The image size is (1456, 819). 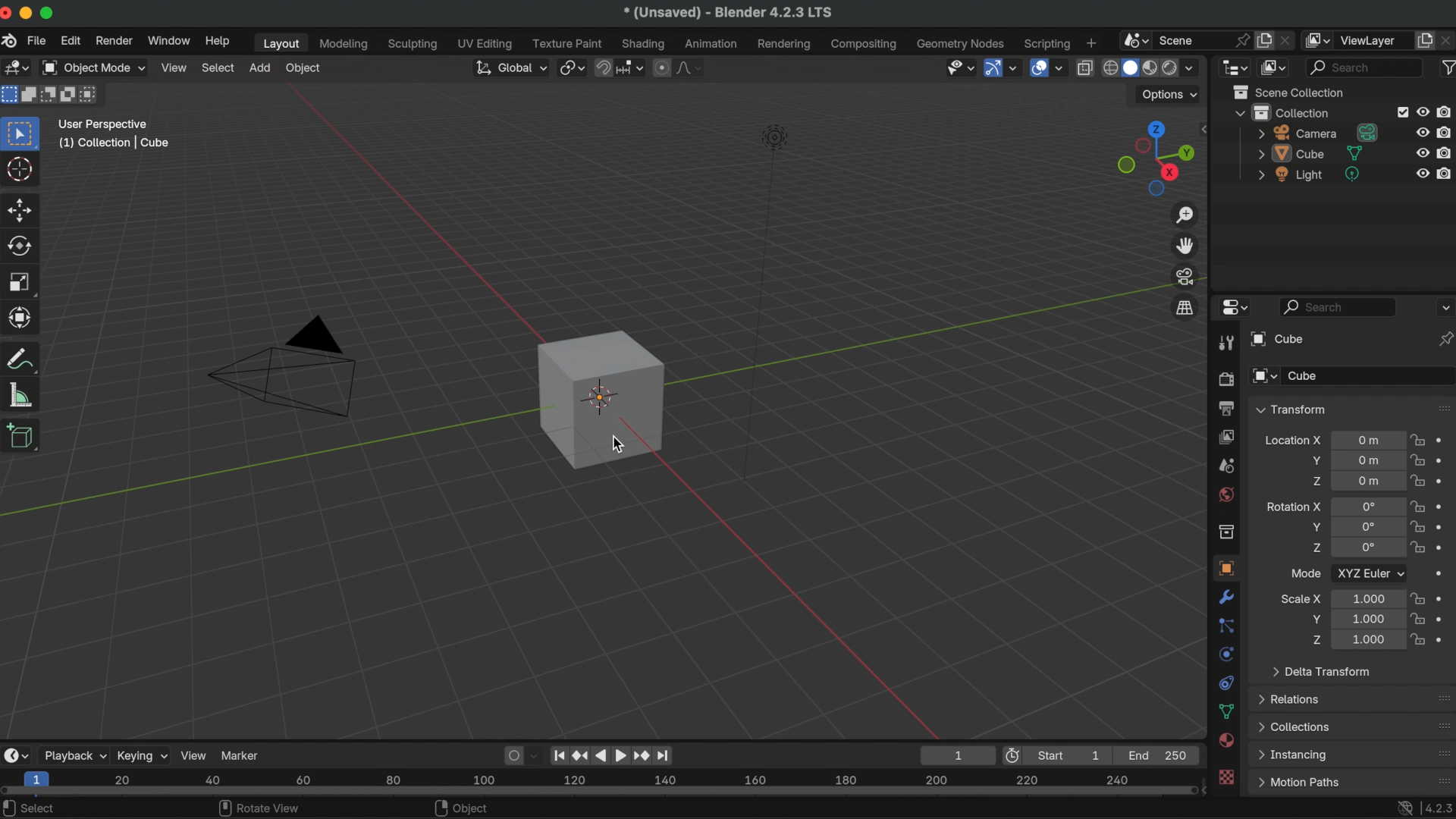 What do you see at coordinates (1310, 174) in the screenshot?
I see `light` at bounding box center [1310, 174].